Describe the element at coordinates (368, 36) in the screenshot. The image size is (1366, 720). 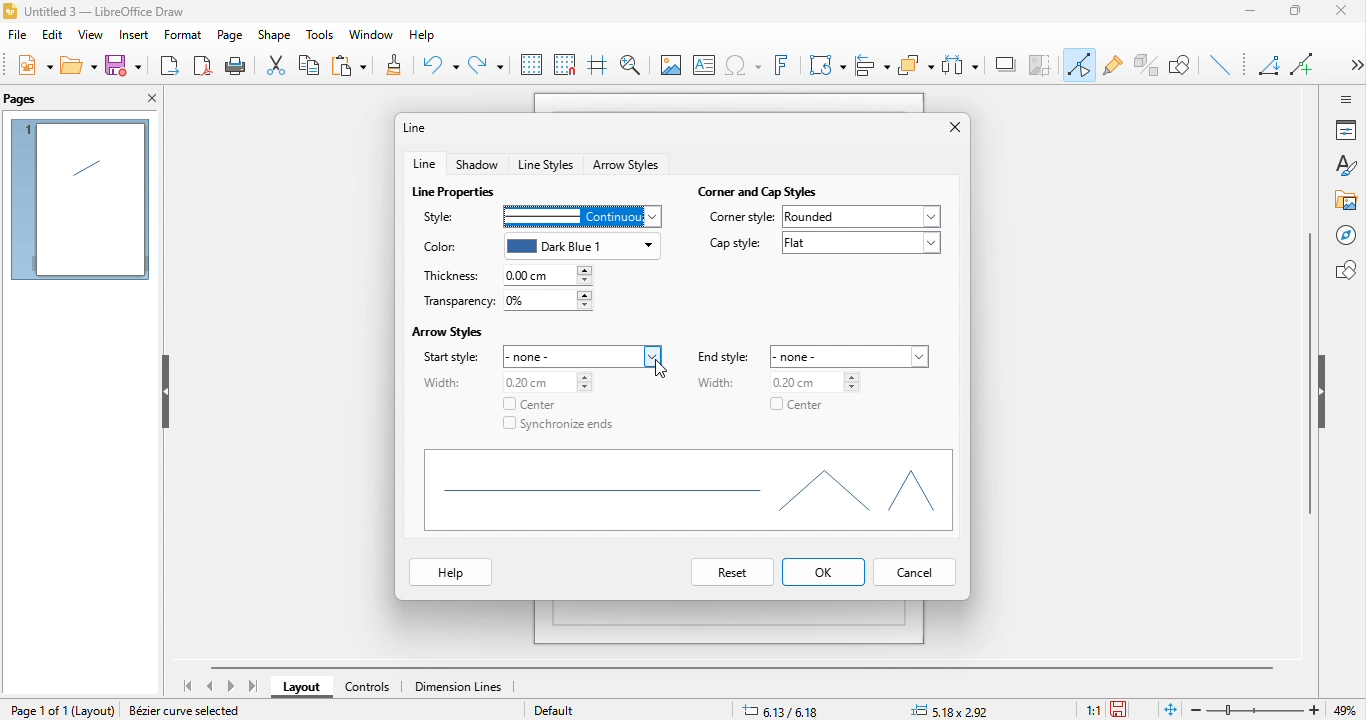
I see `window` at that location.